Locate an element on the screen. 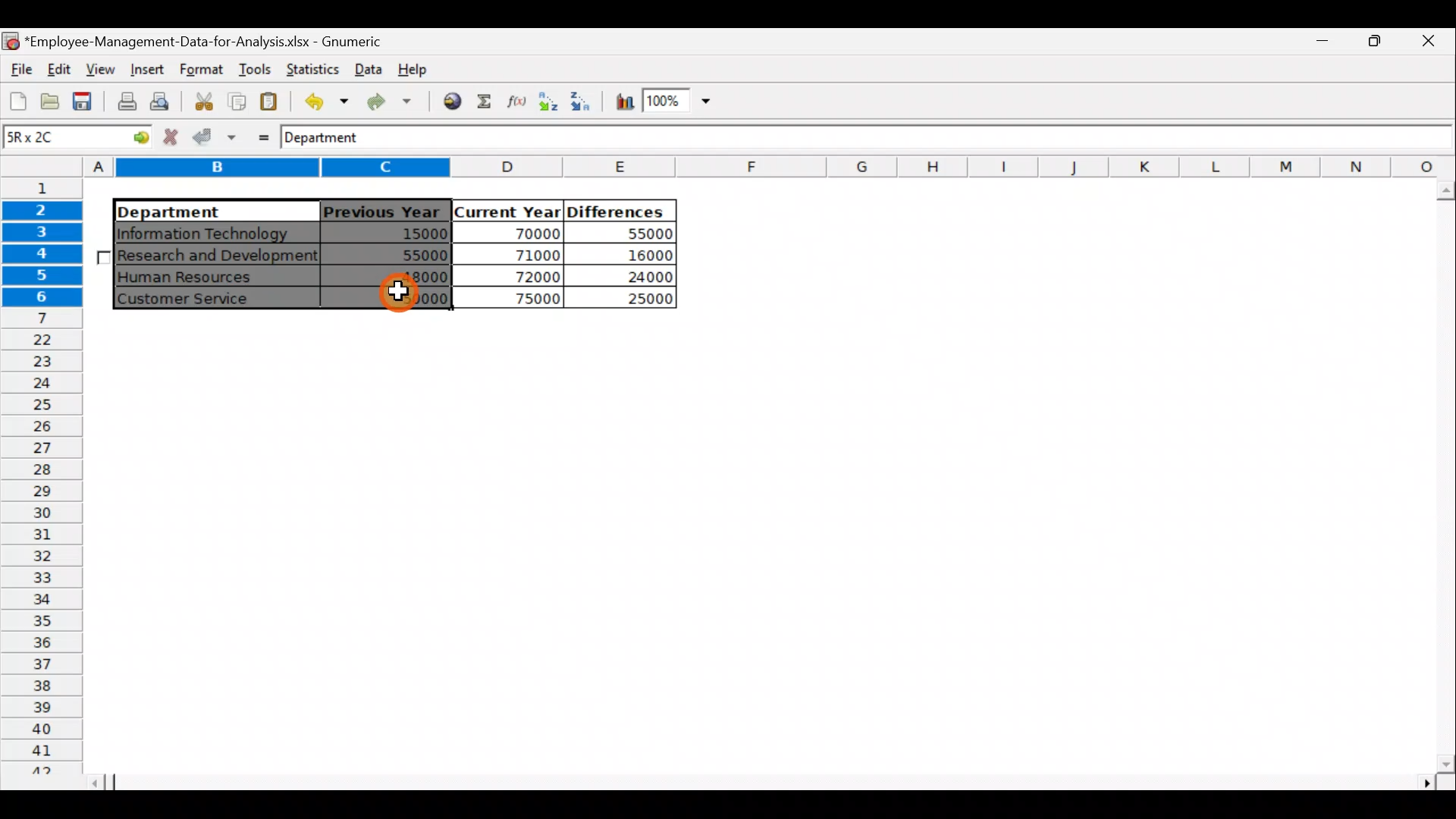 This screenshot has width=1456, height=819. Edit a function in the current cell is located at coordinates (516, 101).